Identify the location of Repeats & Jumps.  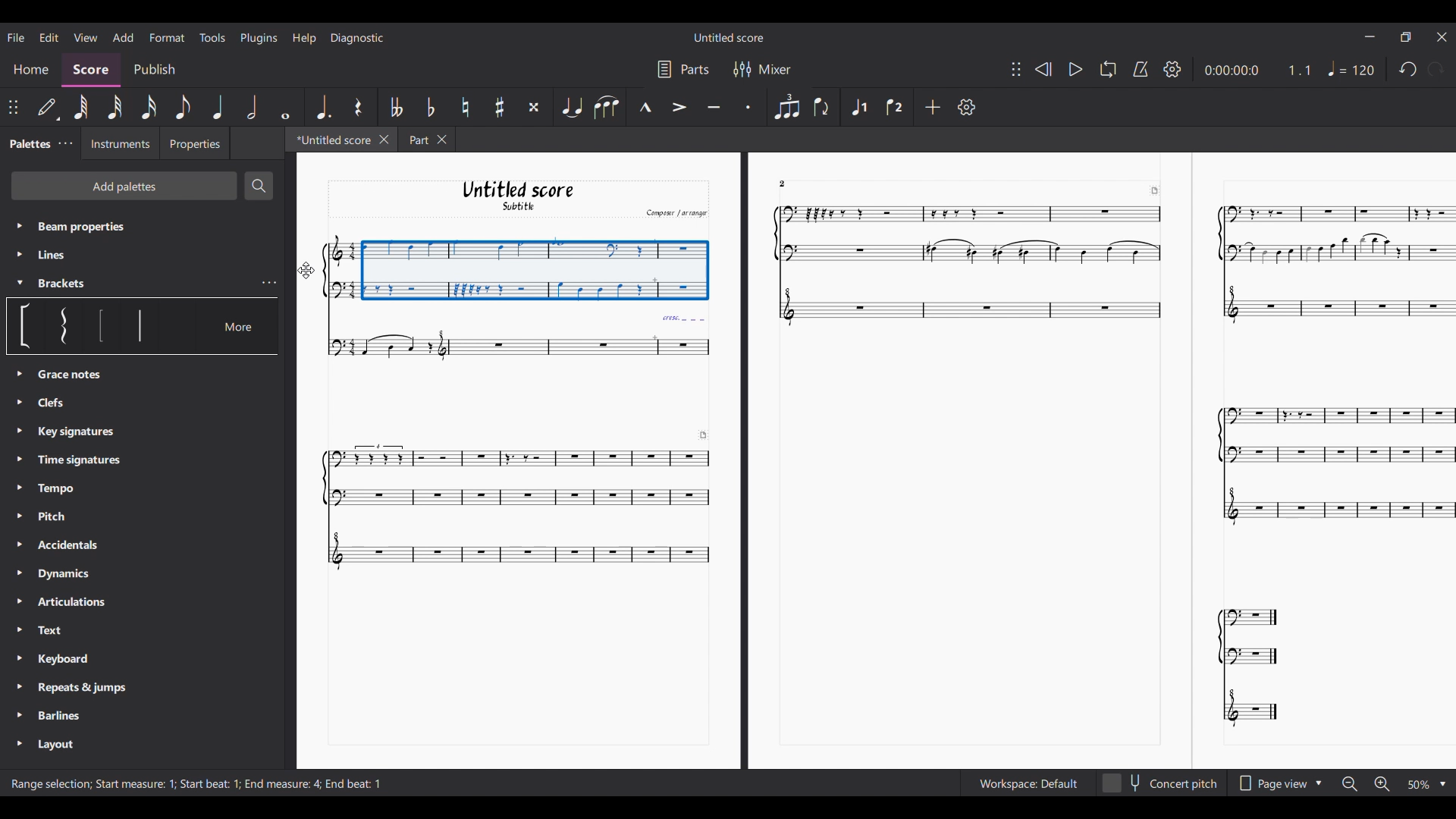
(82, 687).